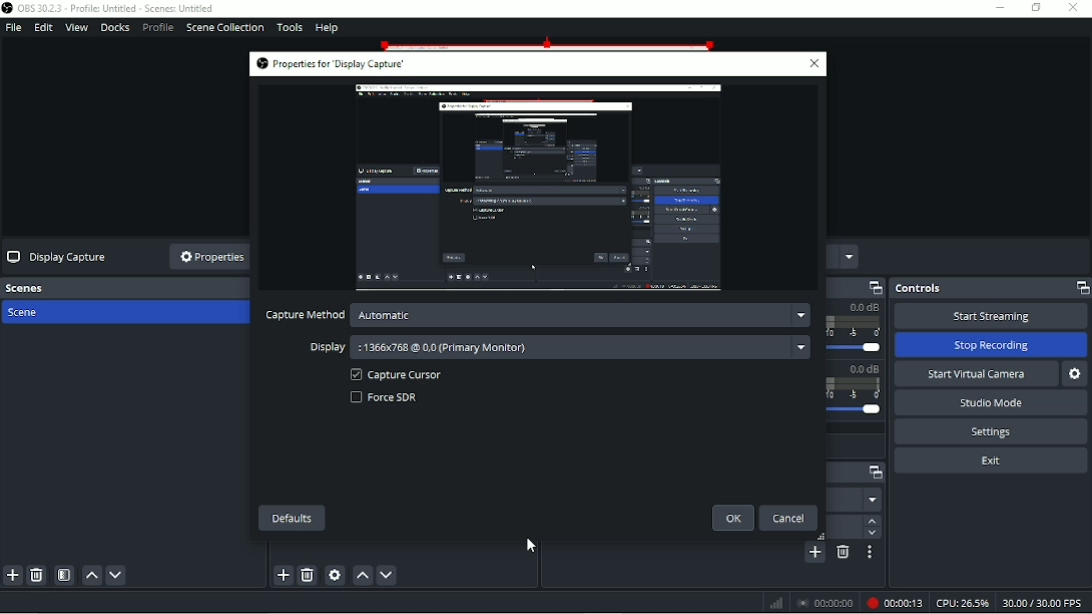 The height and width of the screenshot is (614, 1092). Describe the element at coordinates (964, 602) in the screenshot. I see `CPU: 26.5%` at that location.